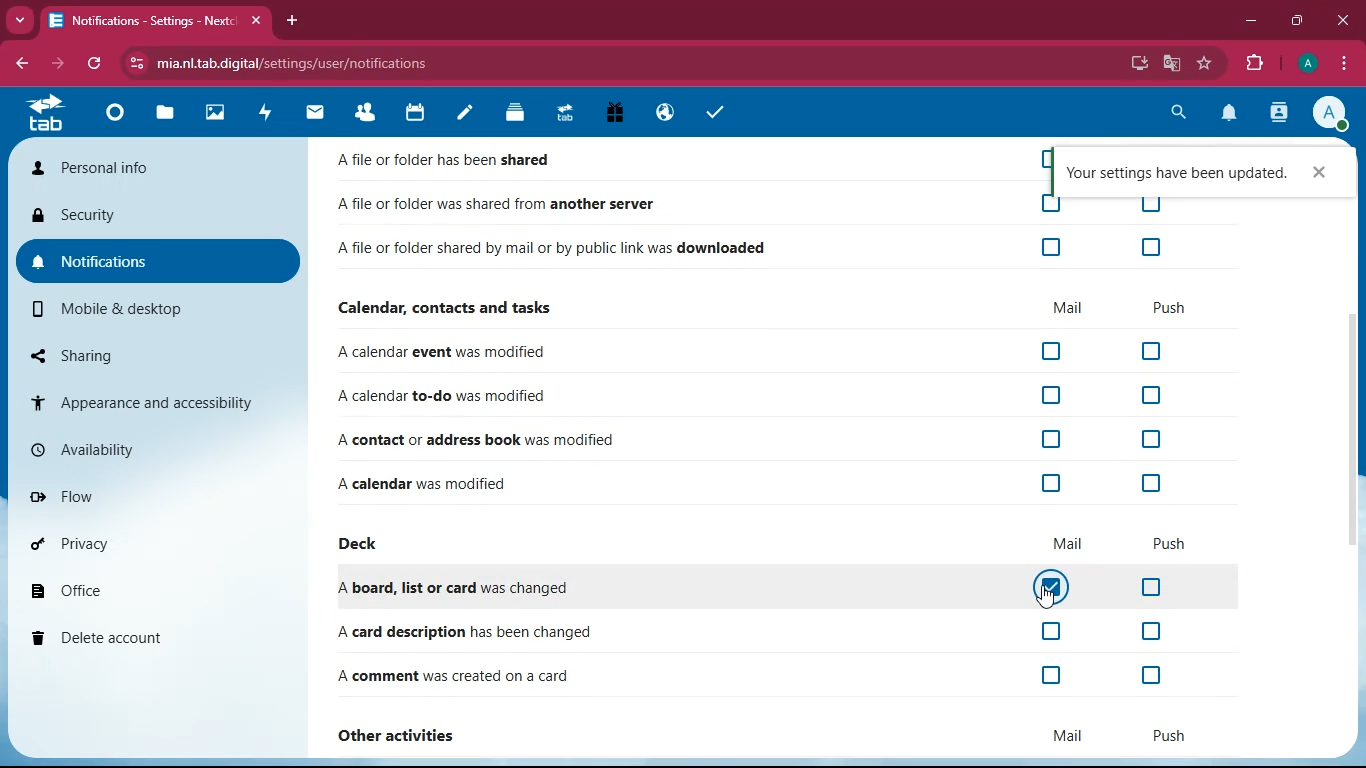 The width and height of the screenshot is (1366, 768). Describe the element at coordinates (1226, 114) in the screenshot. I see `notifications` at that location.